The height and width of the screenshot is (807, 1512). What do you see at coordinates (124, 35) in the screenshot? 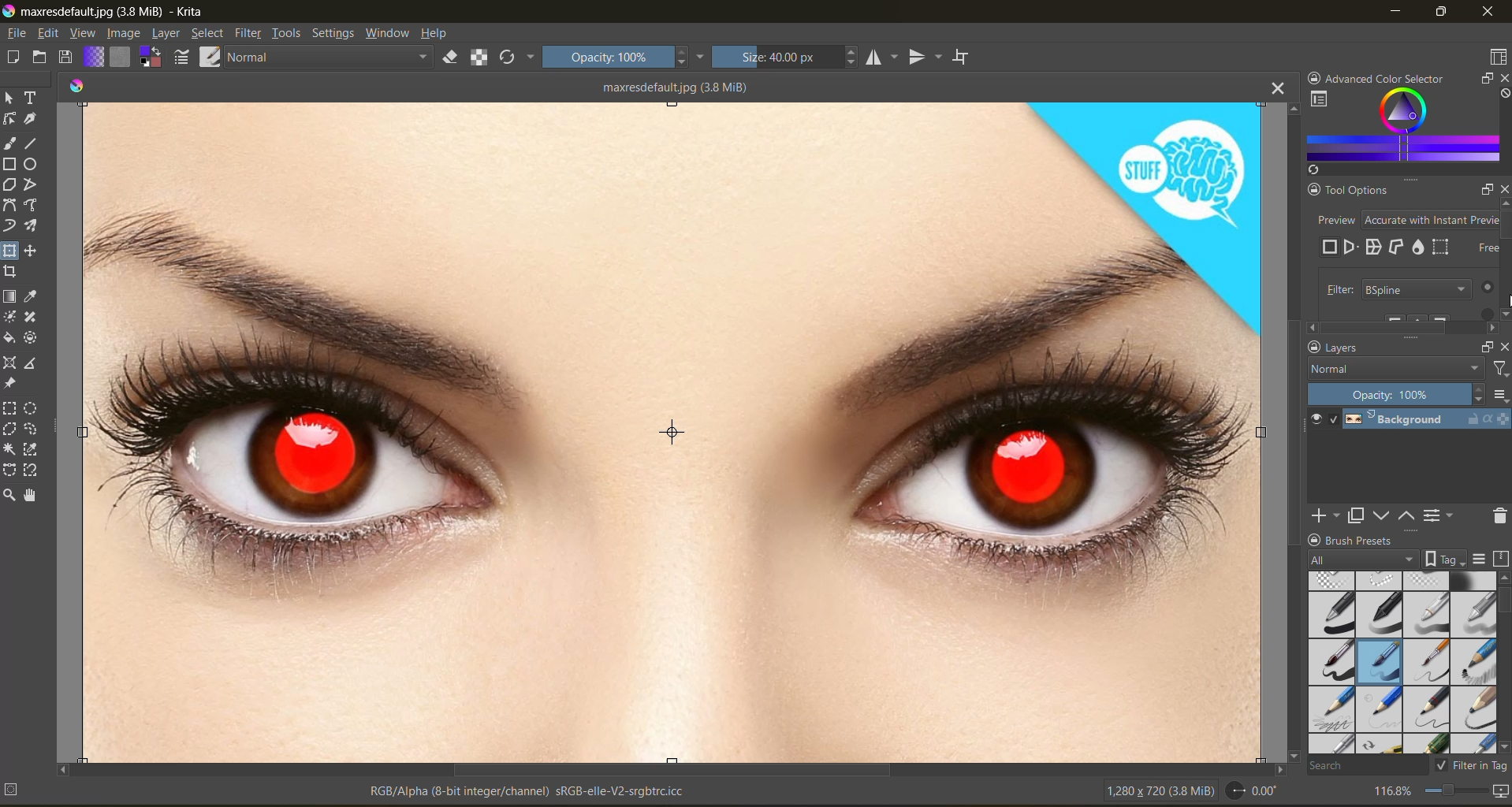
I see `image` at bounding box center [124, 35].